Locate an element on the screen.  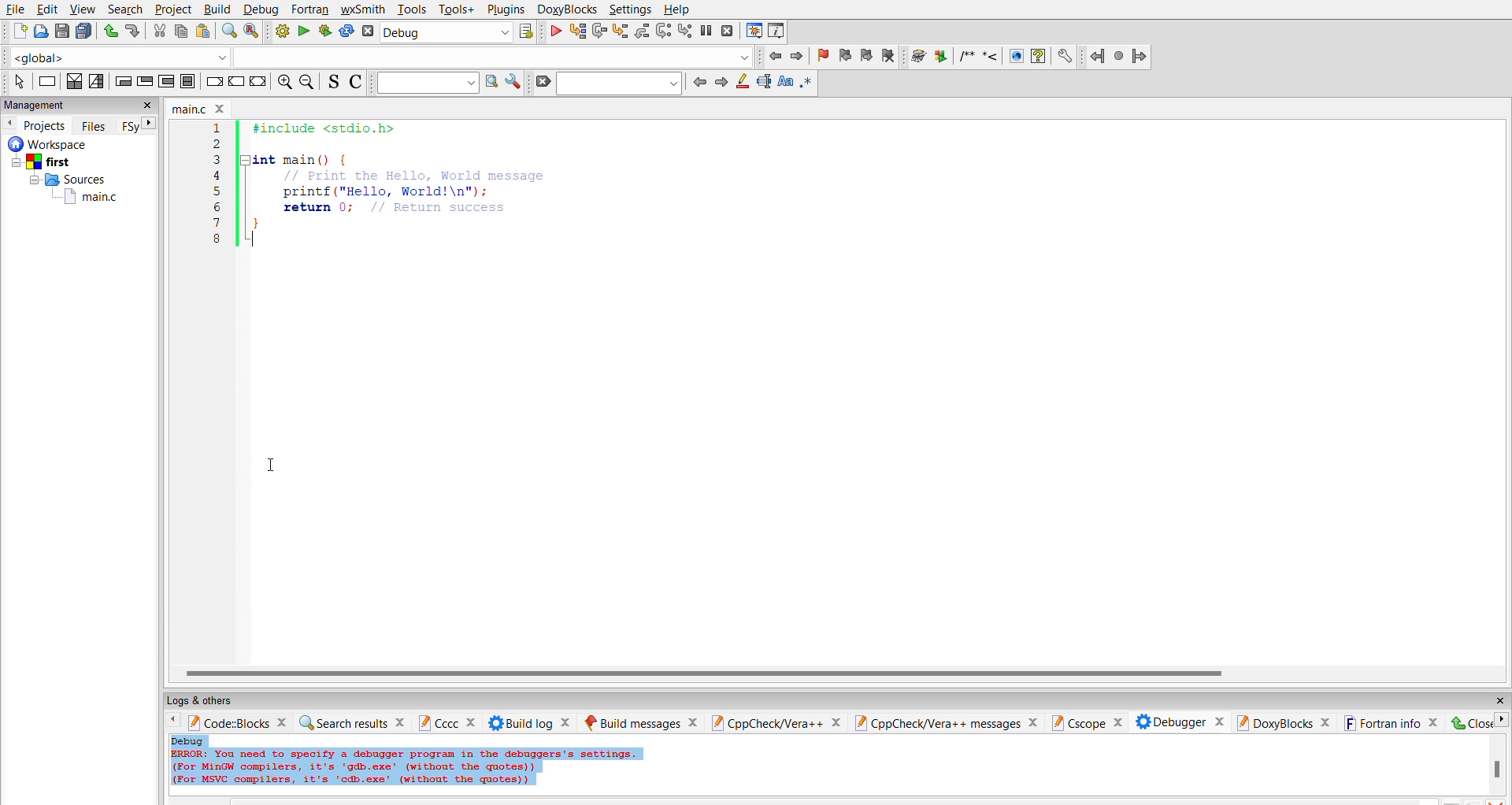
step out is located at coordinates (645, 30).